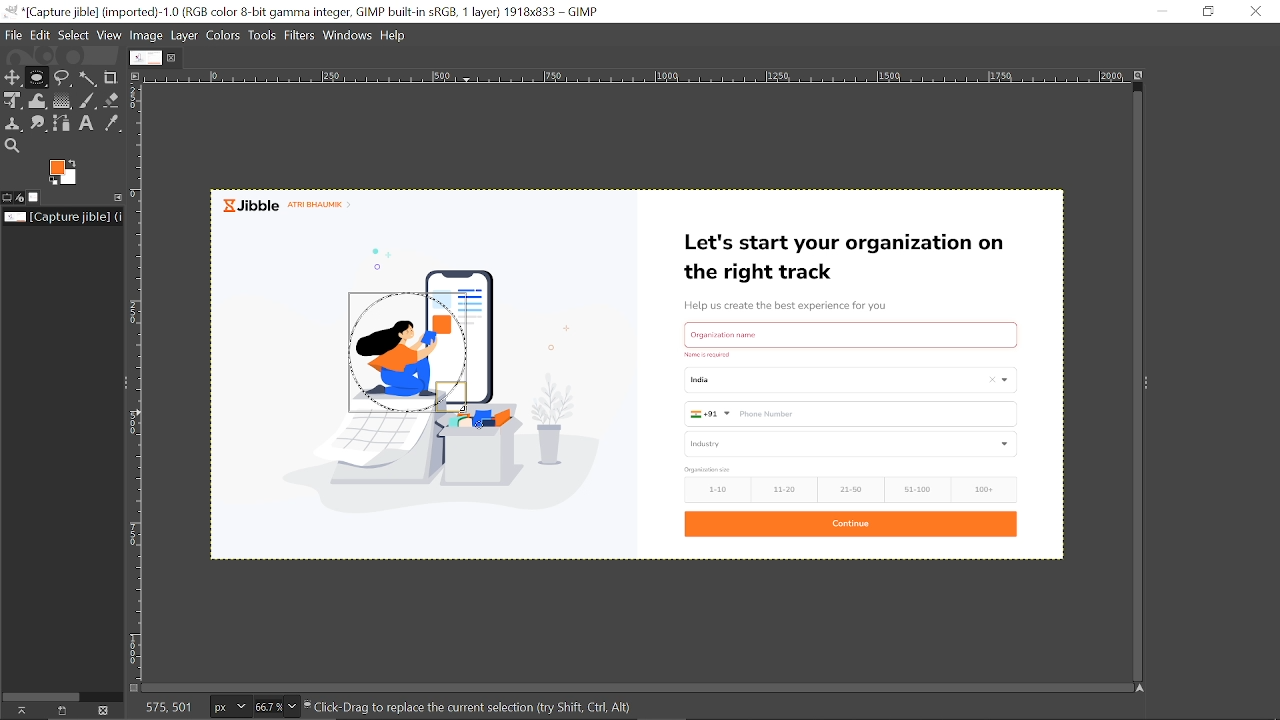 Image resolution: width=1280 pixels, height=720 pixels. What do you see at coordinates (142, 383) in the screenshot?
I see `vertical ruler` at bounding box center [142, 383].